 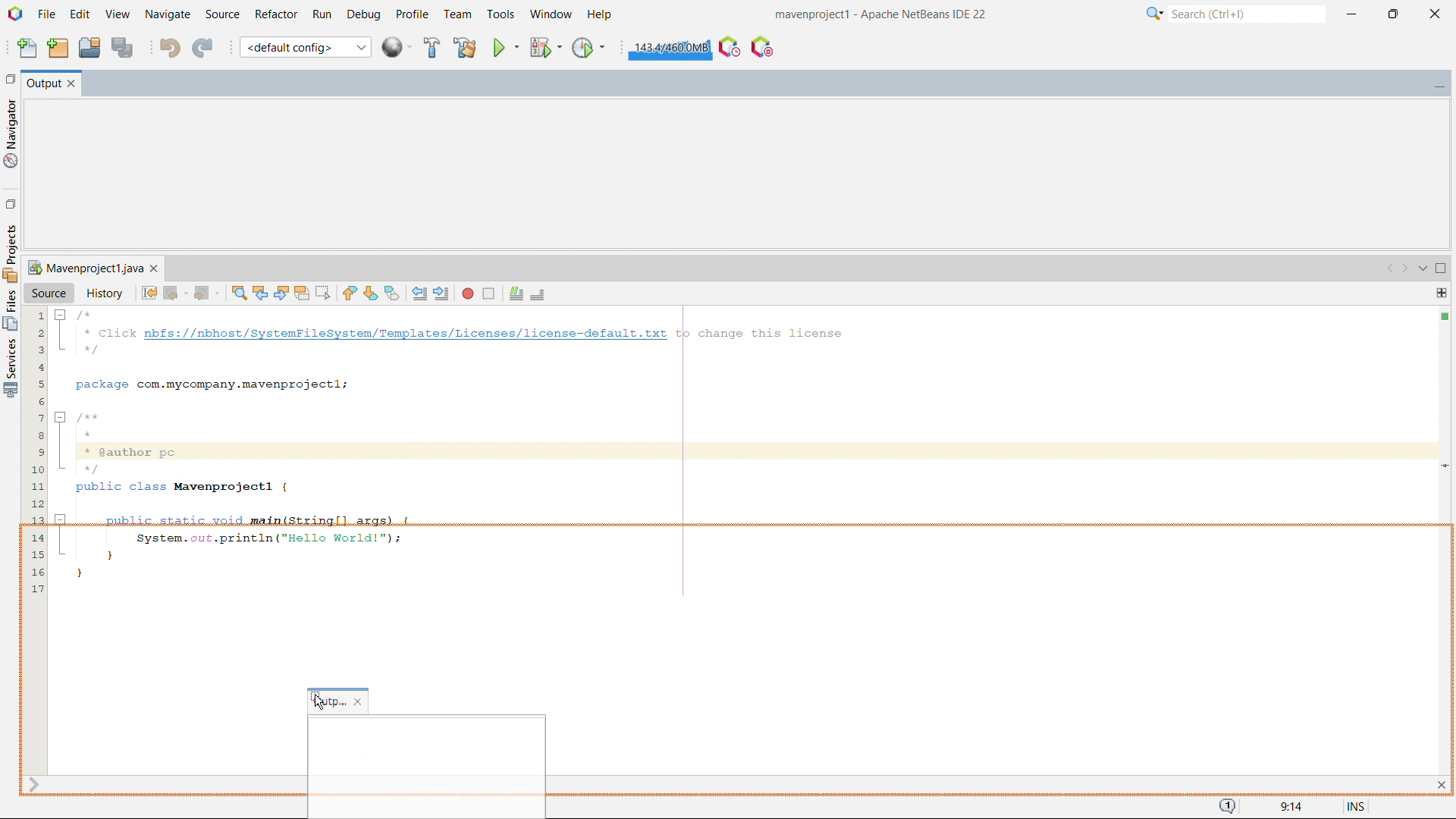 I want to click on run project, so click(x=505, y=47).